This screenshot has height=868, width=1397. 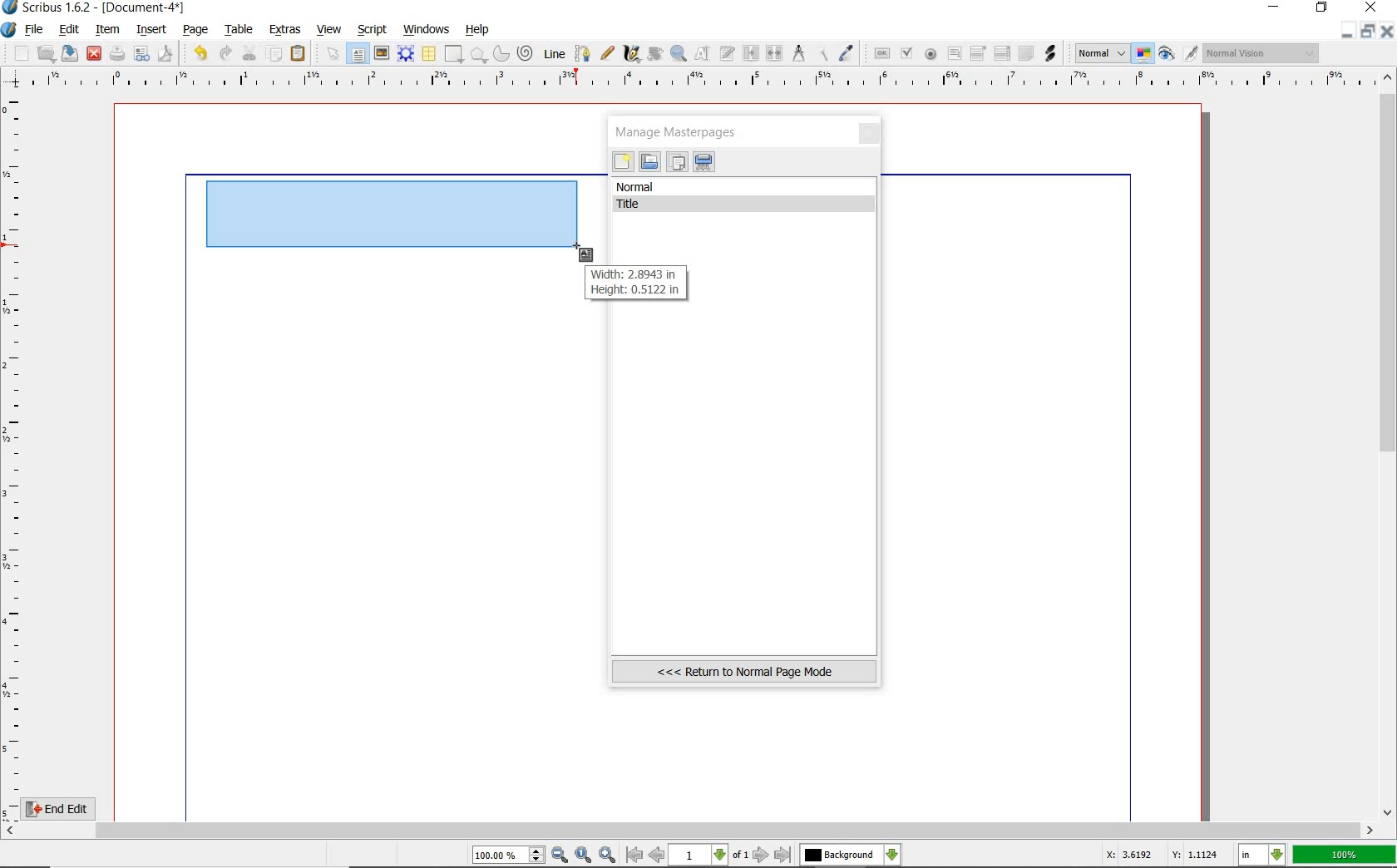 I want to click on freehand line, so click(x=605, y=54).